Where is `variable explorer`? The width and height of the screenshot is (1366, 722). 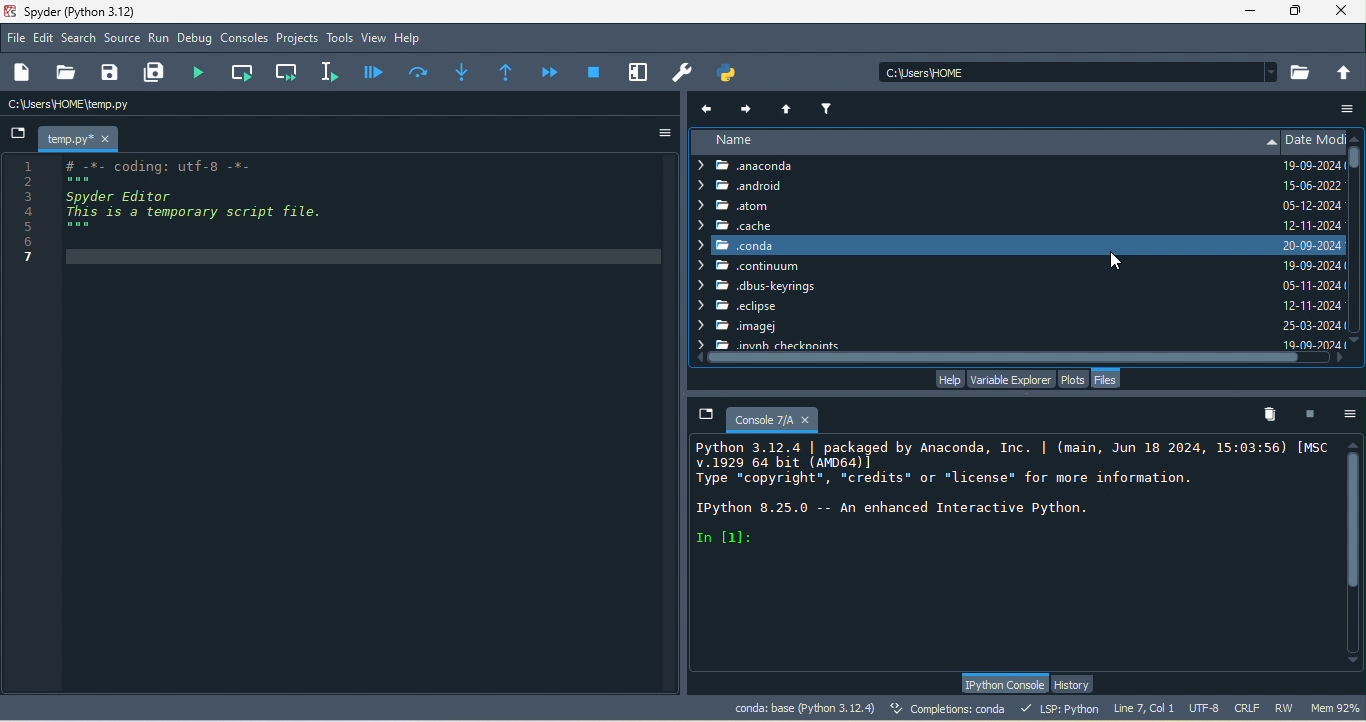 variable explorer is located at coordinates (1010, 378).